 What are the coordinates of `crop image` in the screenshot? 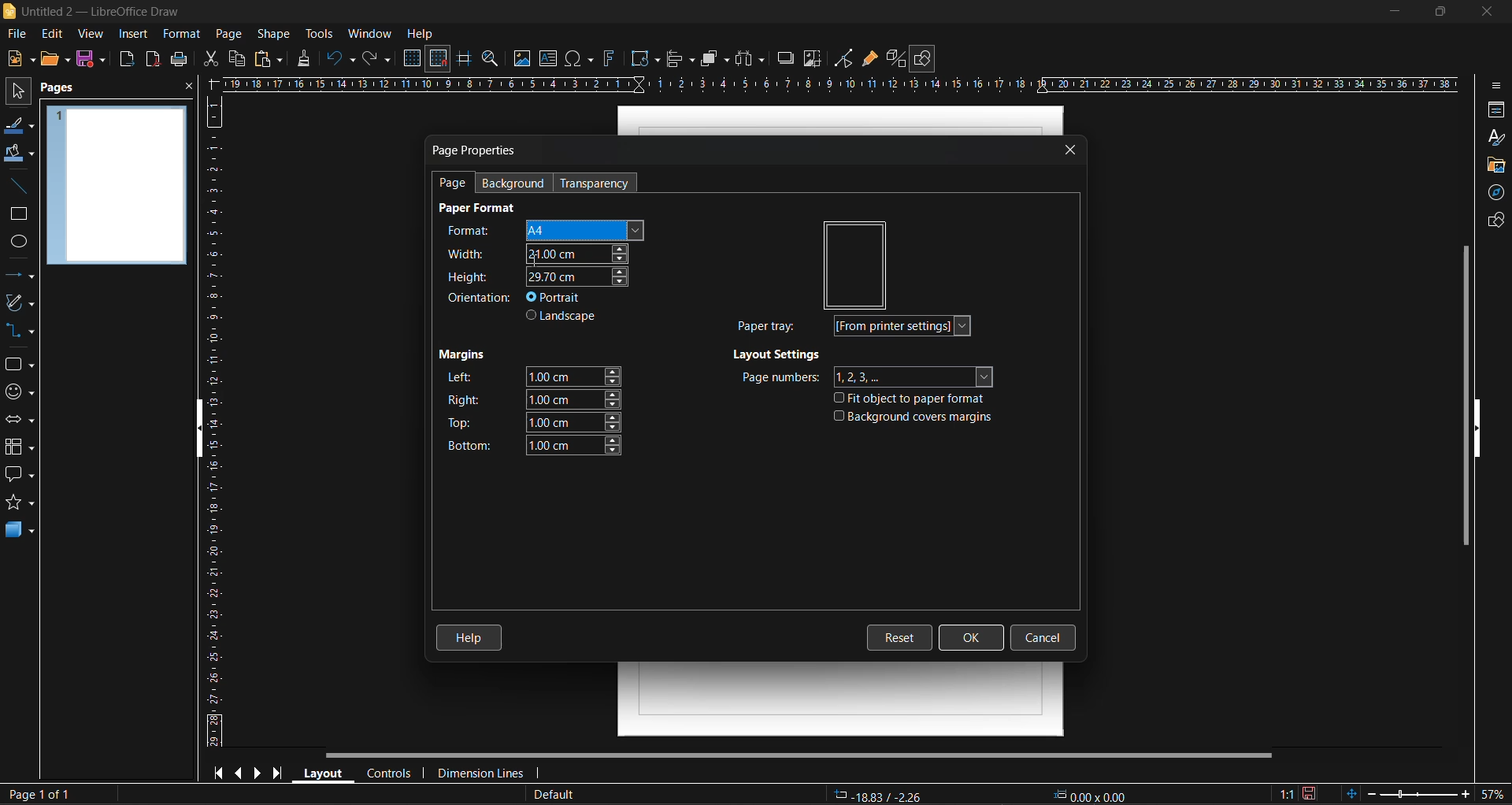 It's located at (812, 61).